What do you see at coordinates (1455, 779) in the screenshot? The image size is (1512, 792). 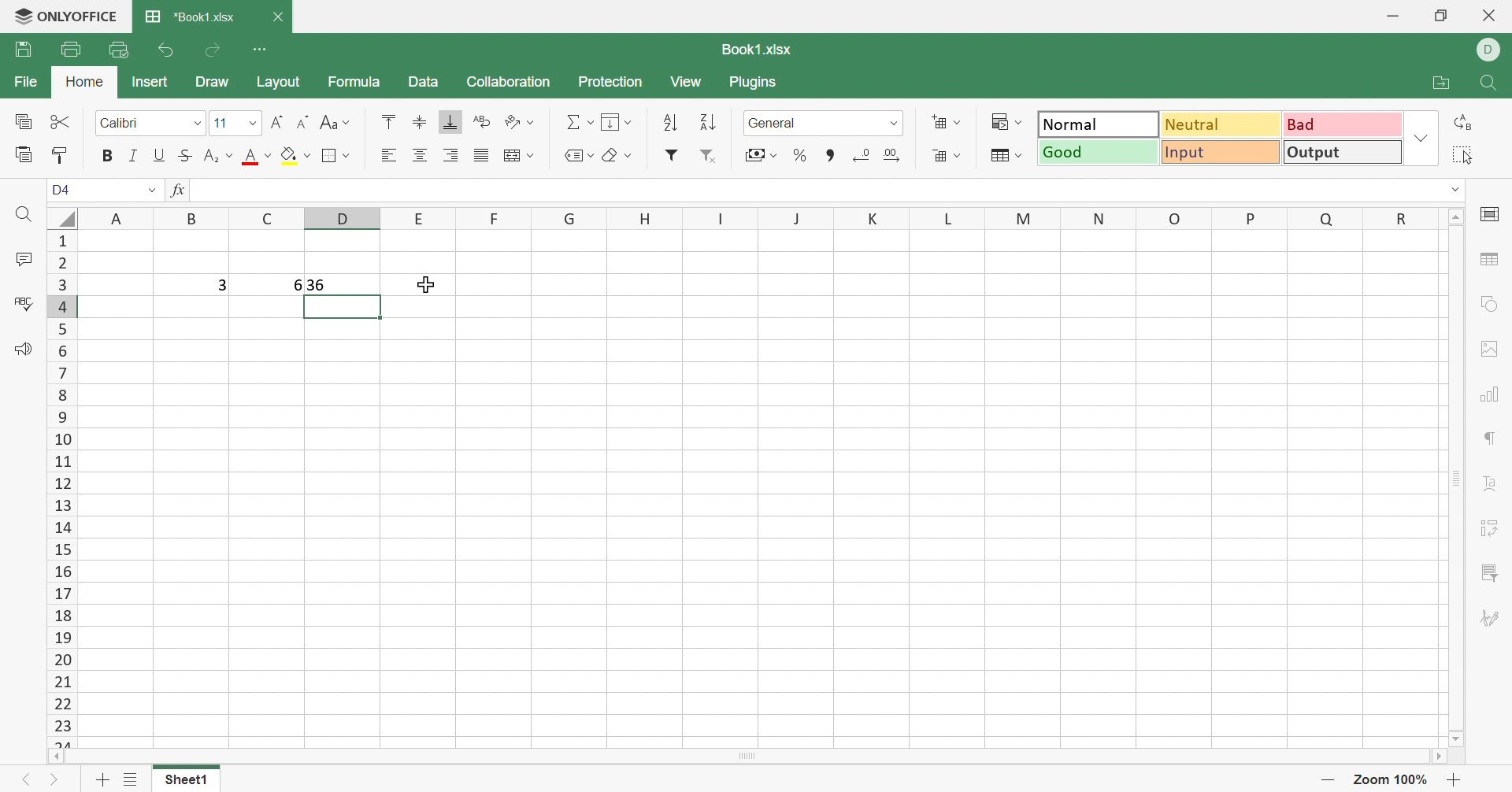 I see `Zoom in` at bounding box center [1455, 779].